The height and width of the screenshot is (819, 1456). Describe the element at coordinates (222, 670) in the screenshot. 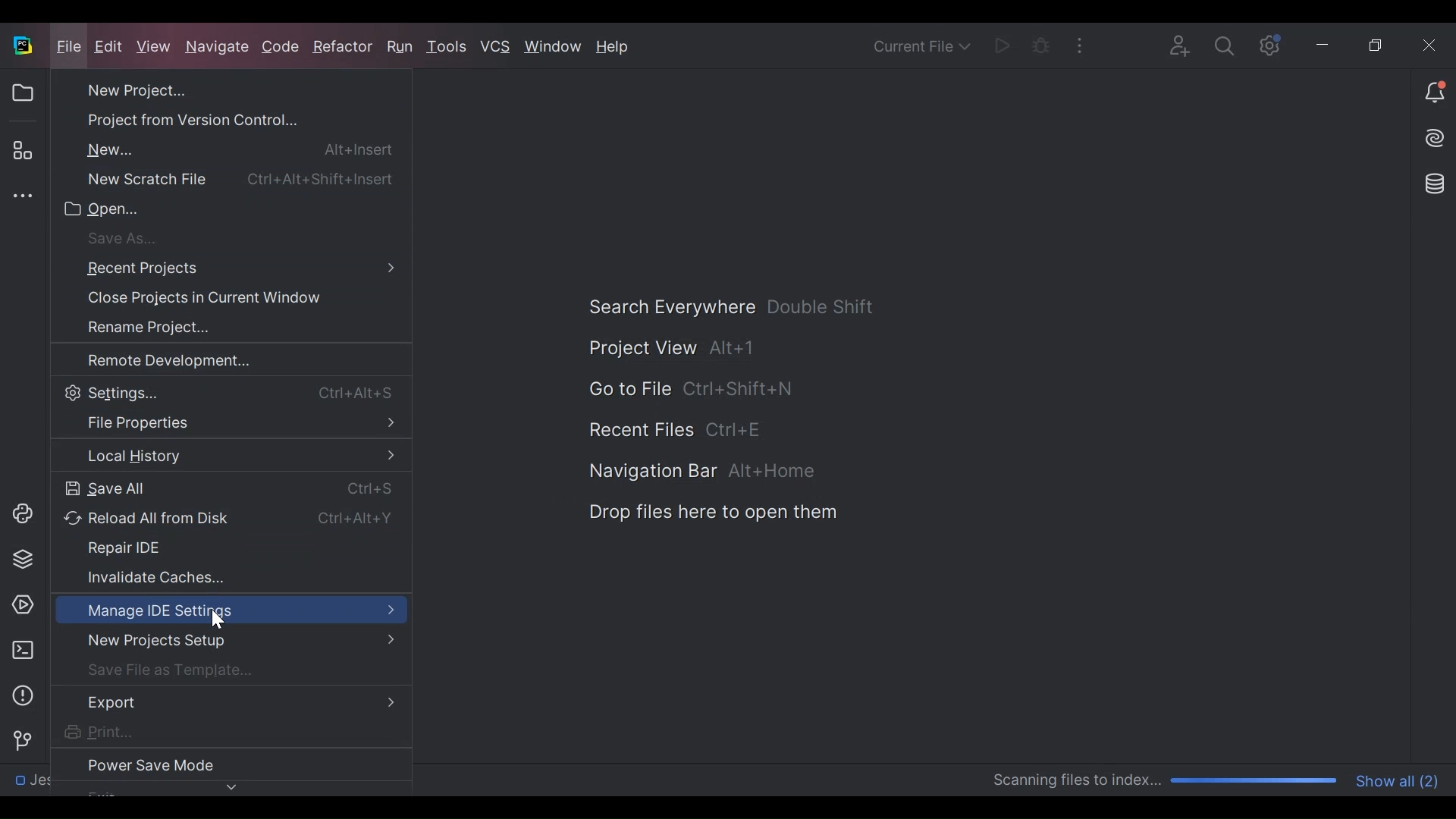

I see `Save File as a template` at that location.